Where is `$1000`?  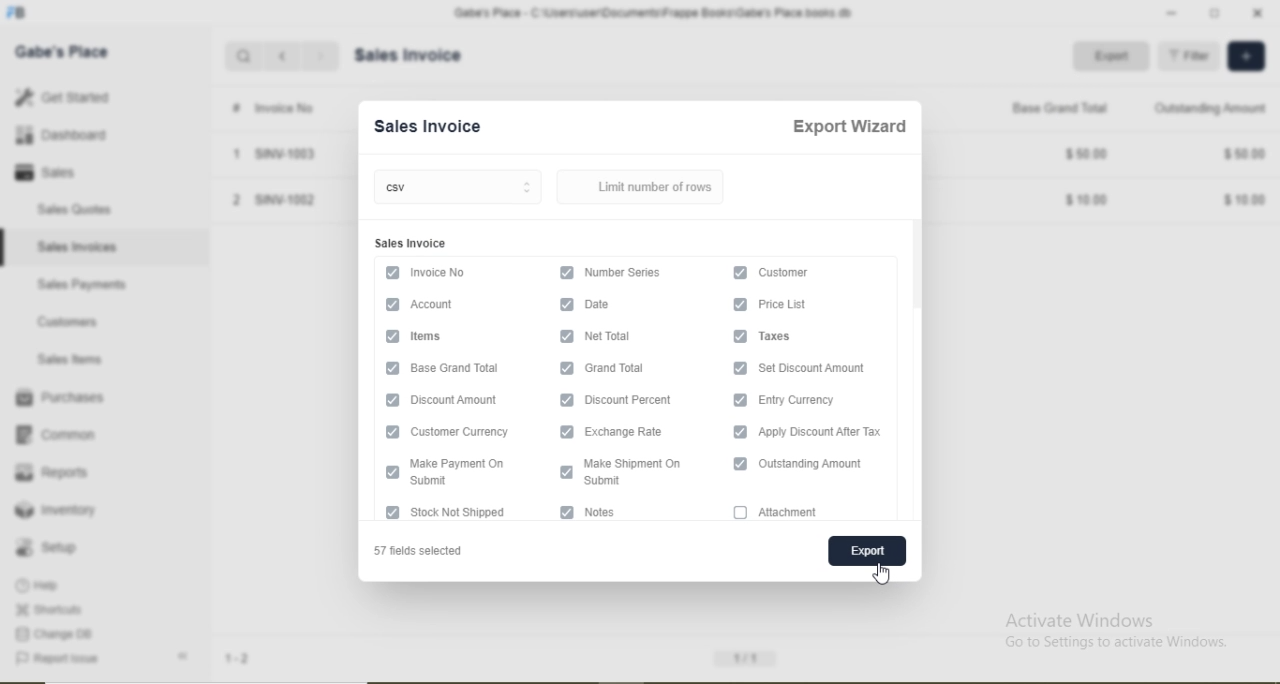 $1000 is located at coordinates (1088, 202).